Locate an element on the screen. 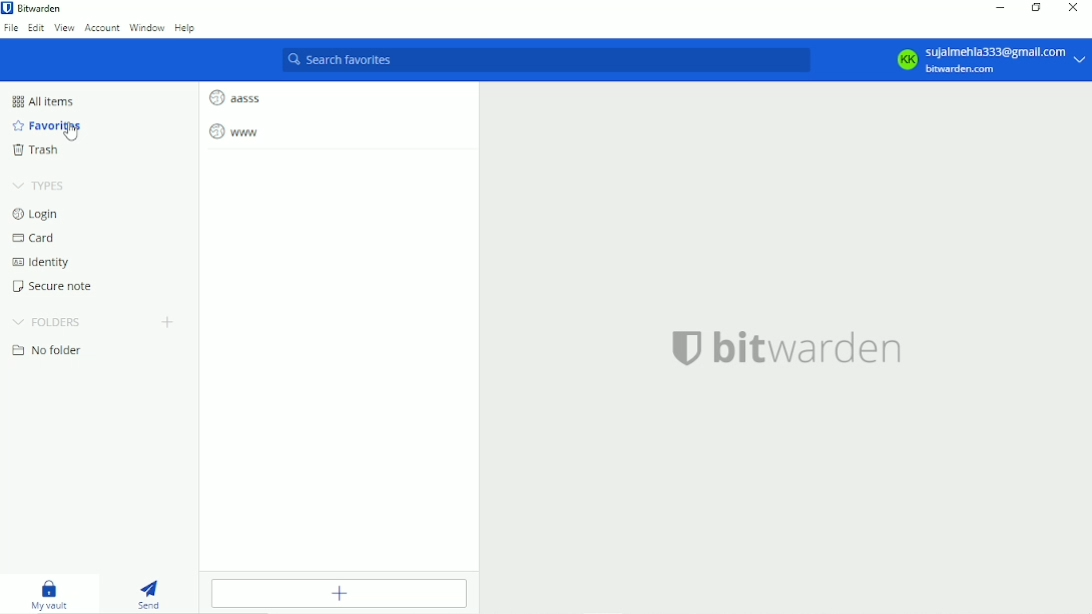 This screenshot has height=614, width=1092. View is located at coordinates (64, 28).